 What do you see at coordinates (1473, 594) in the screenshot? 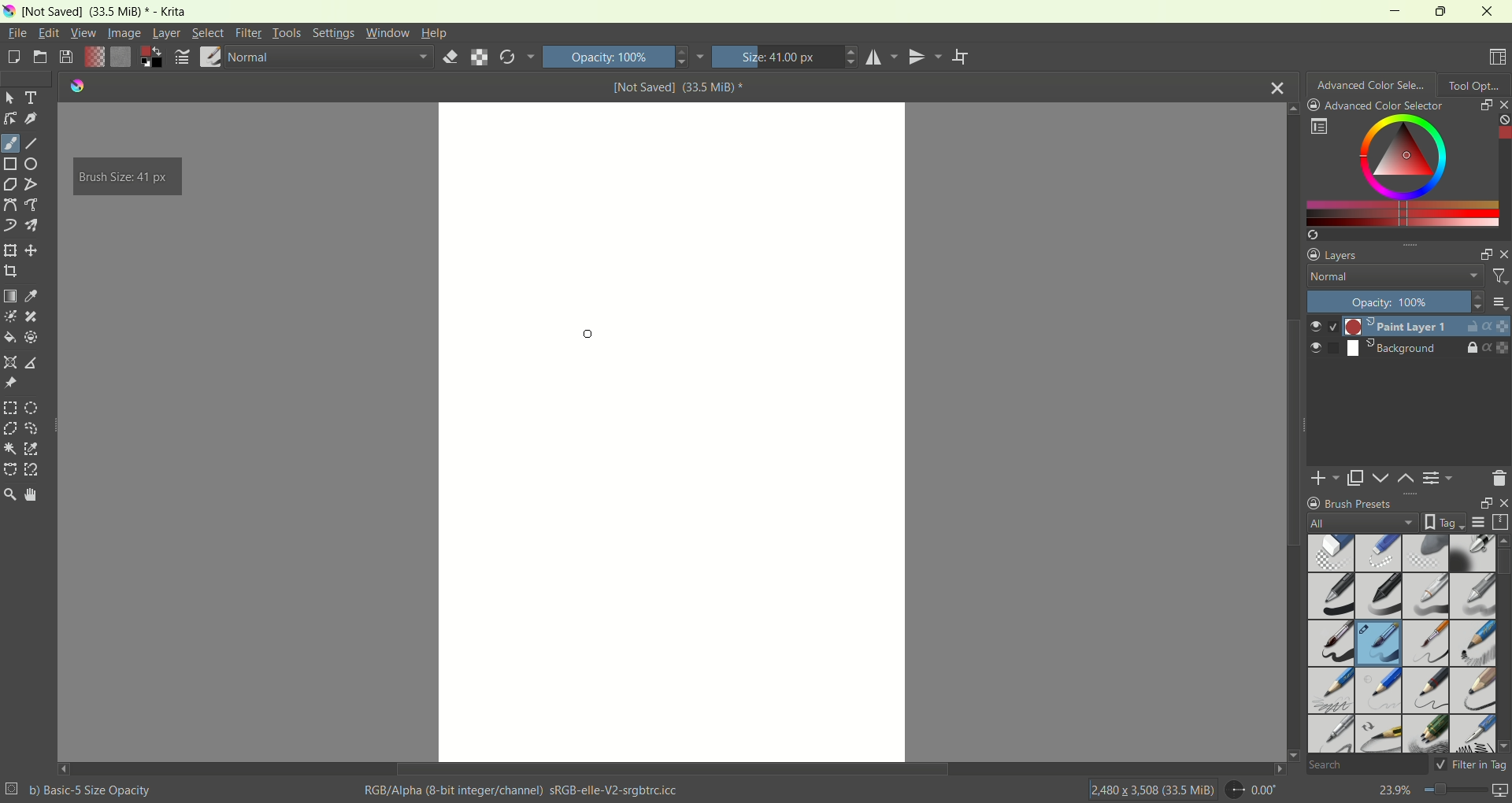
I see `basic 4` at bounding box center [1473, 594].